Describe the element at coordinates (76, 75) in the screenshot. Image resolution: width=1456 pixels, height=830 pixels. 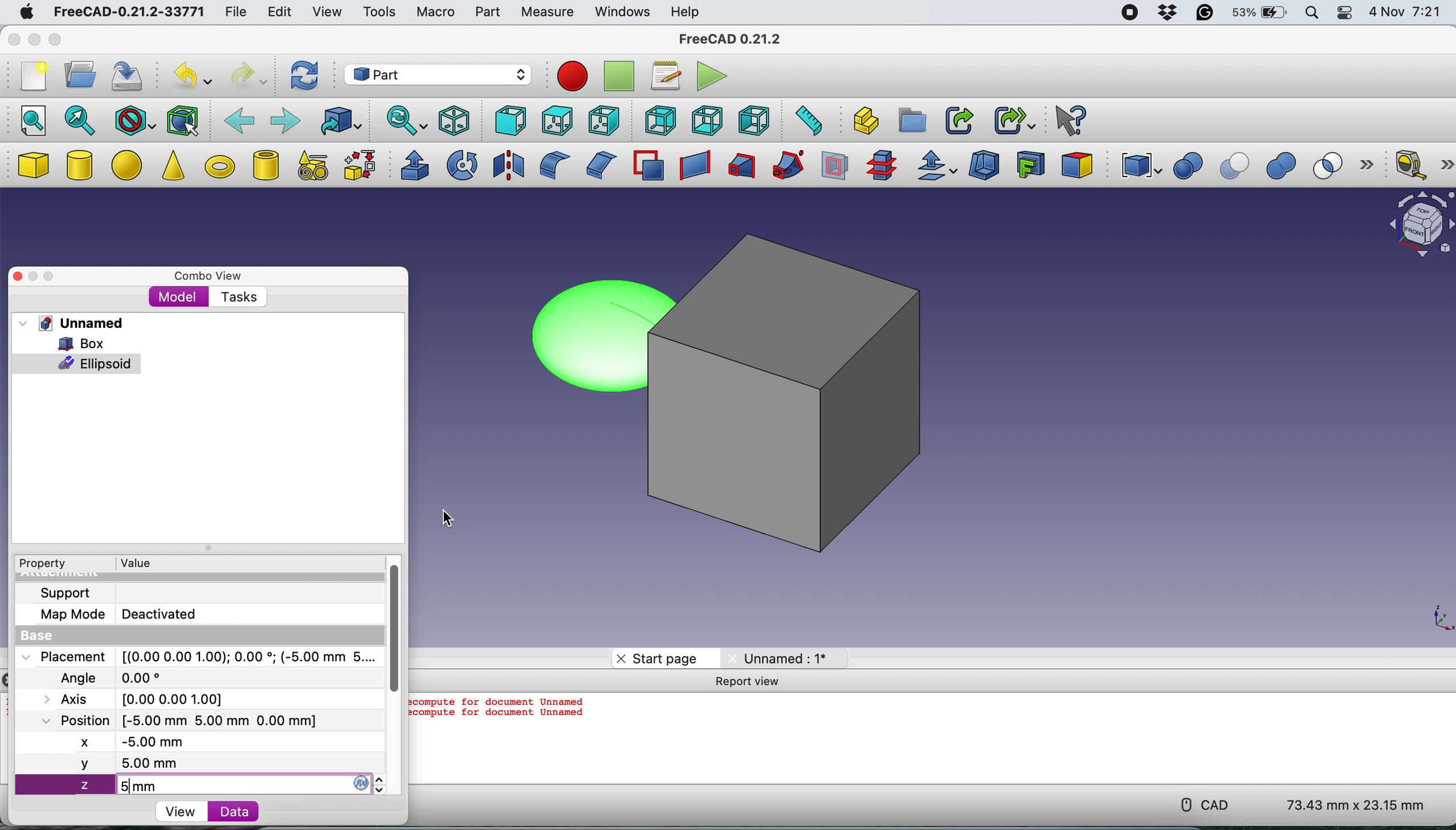
I see `open` at that location.